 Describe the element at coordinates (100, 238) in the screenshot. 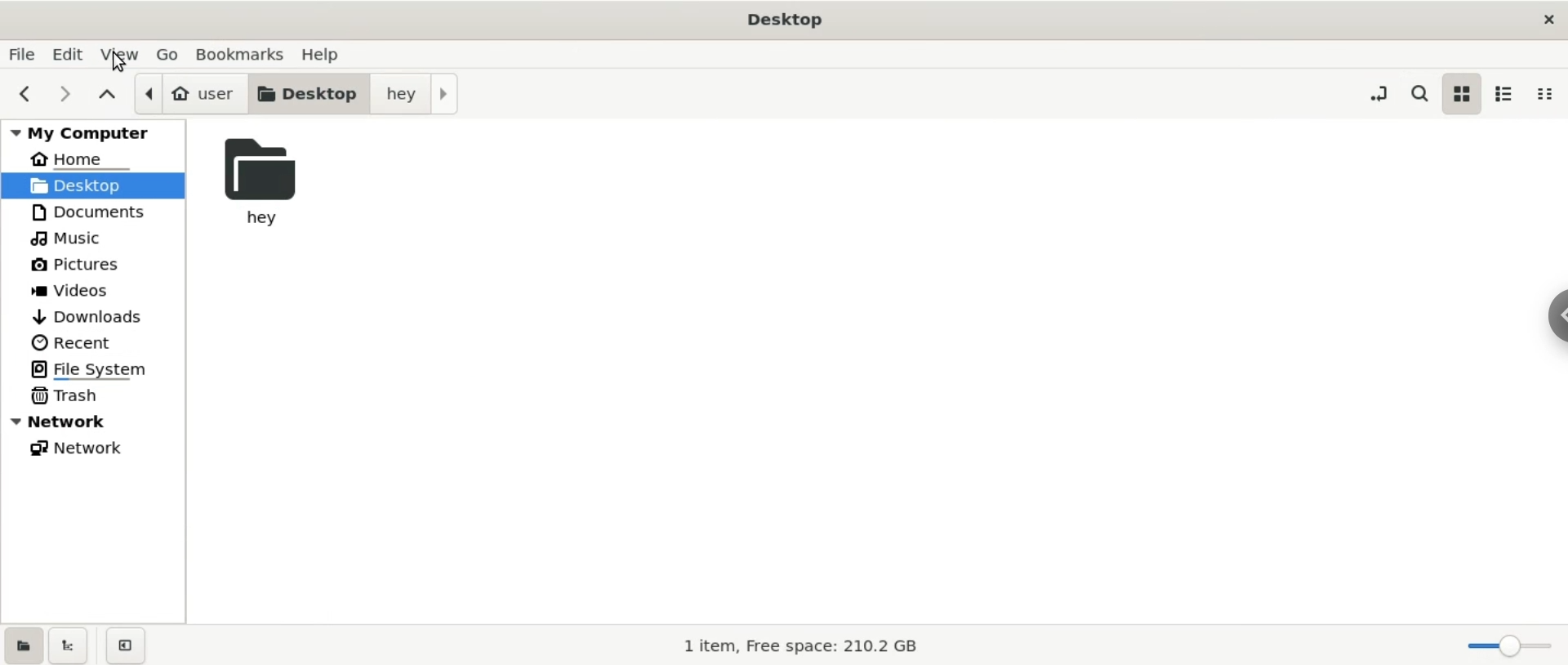

I see `music` at that location.